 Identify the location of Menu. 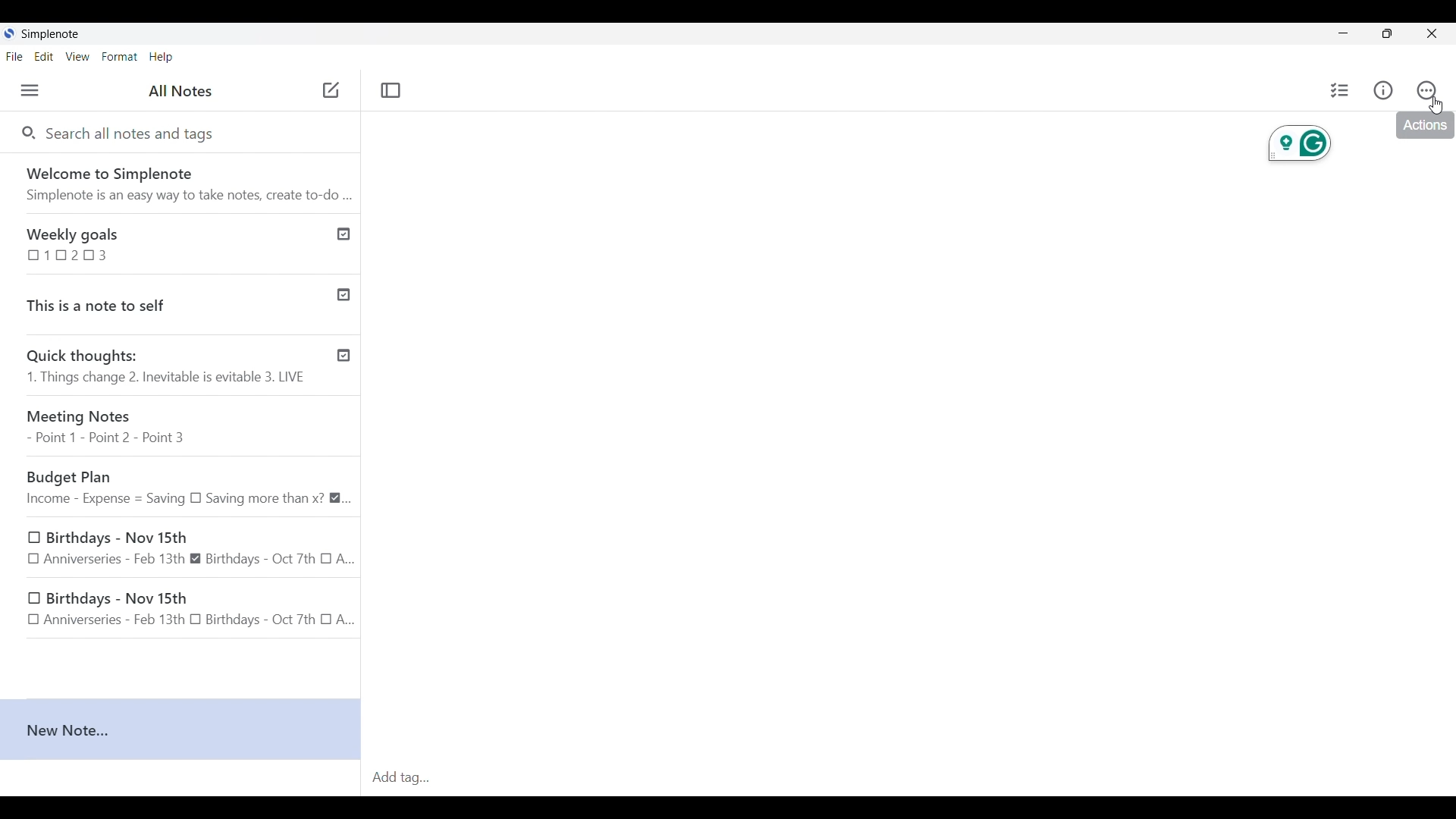
(30, 90).